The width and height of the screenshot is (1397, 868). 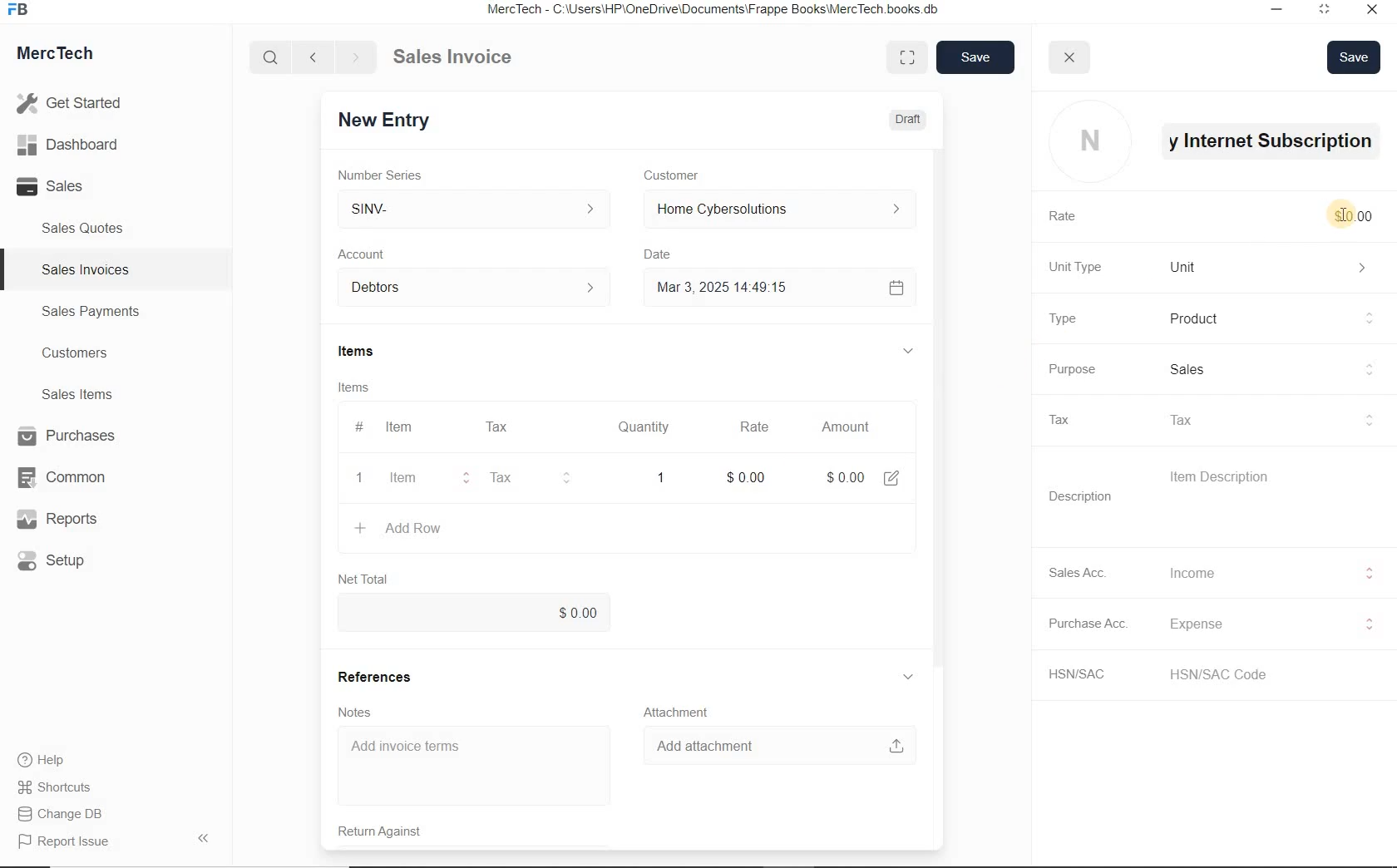 I want to click on quatity: 1, so click(x=652, y=476).